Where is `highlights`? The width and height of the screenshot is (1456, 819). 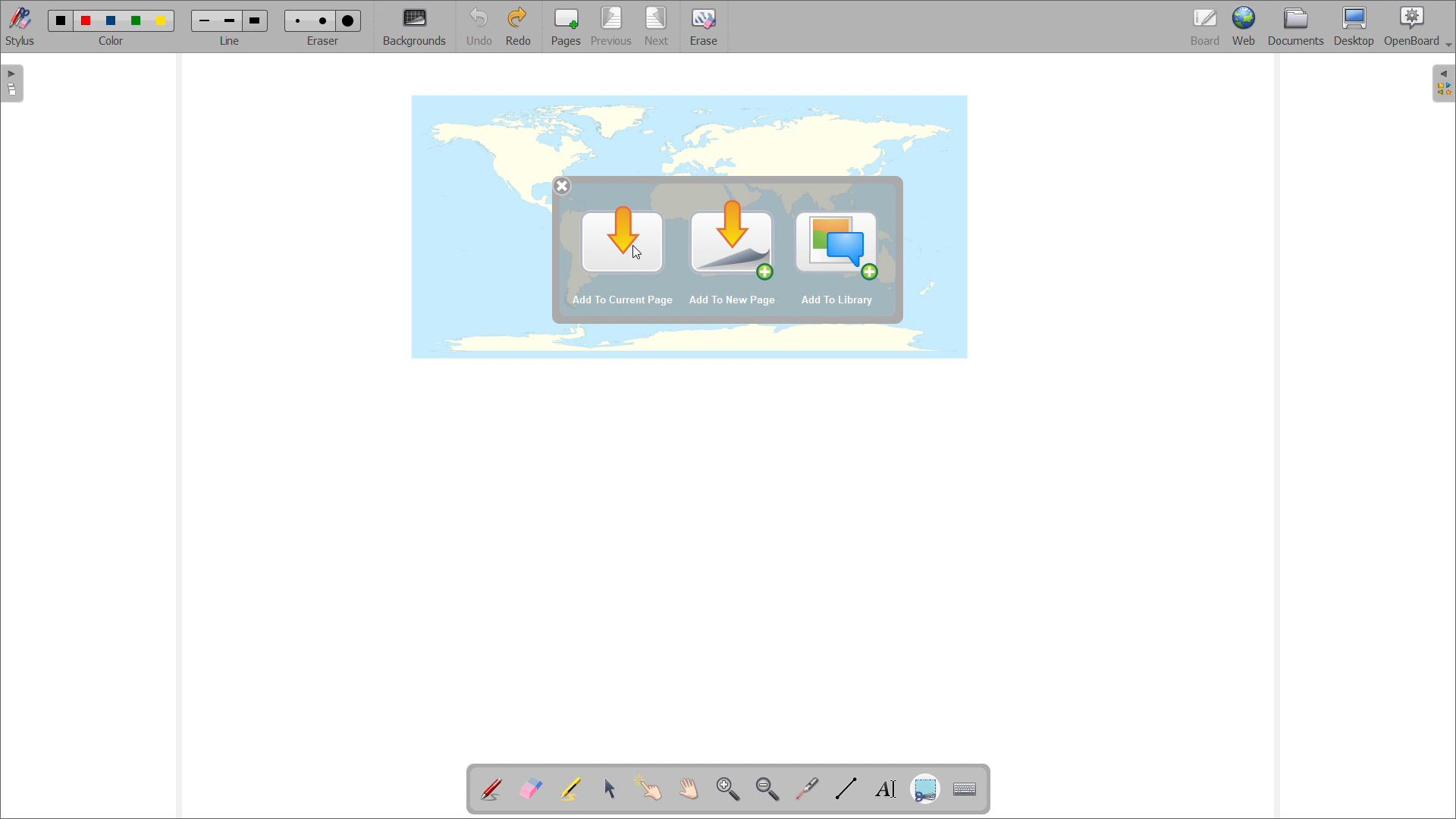 highlights is located at coordinates (570, 789).